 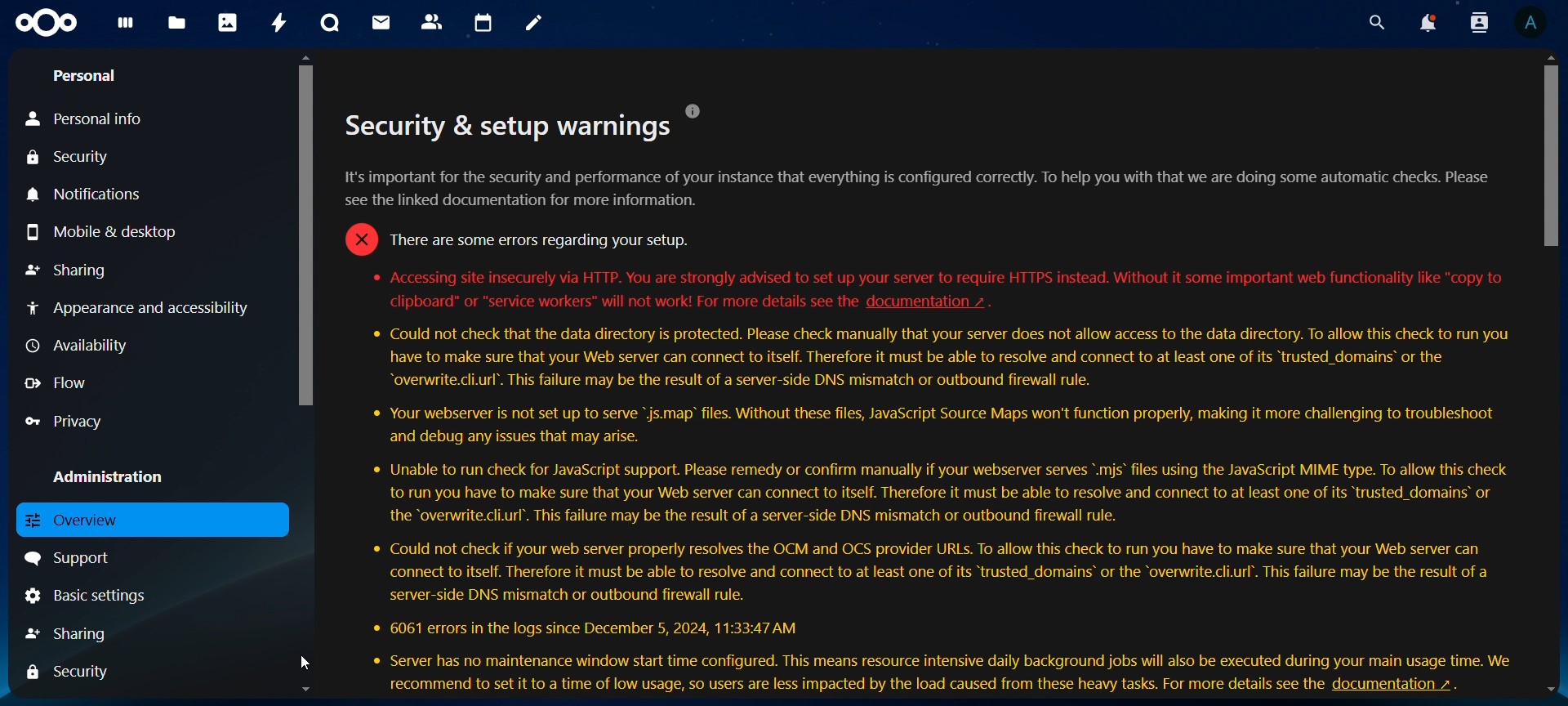 What do you see at coordinates (107, 476) in the screenshot?
I see `administration` at bounding box center [107, 476].